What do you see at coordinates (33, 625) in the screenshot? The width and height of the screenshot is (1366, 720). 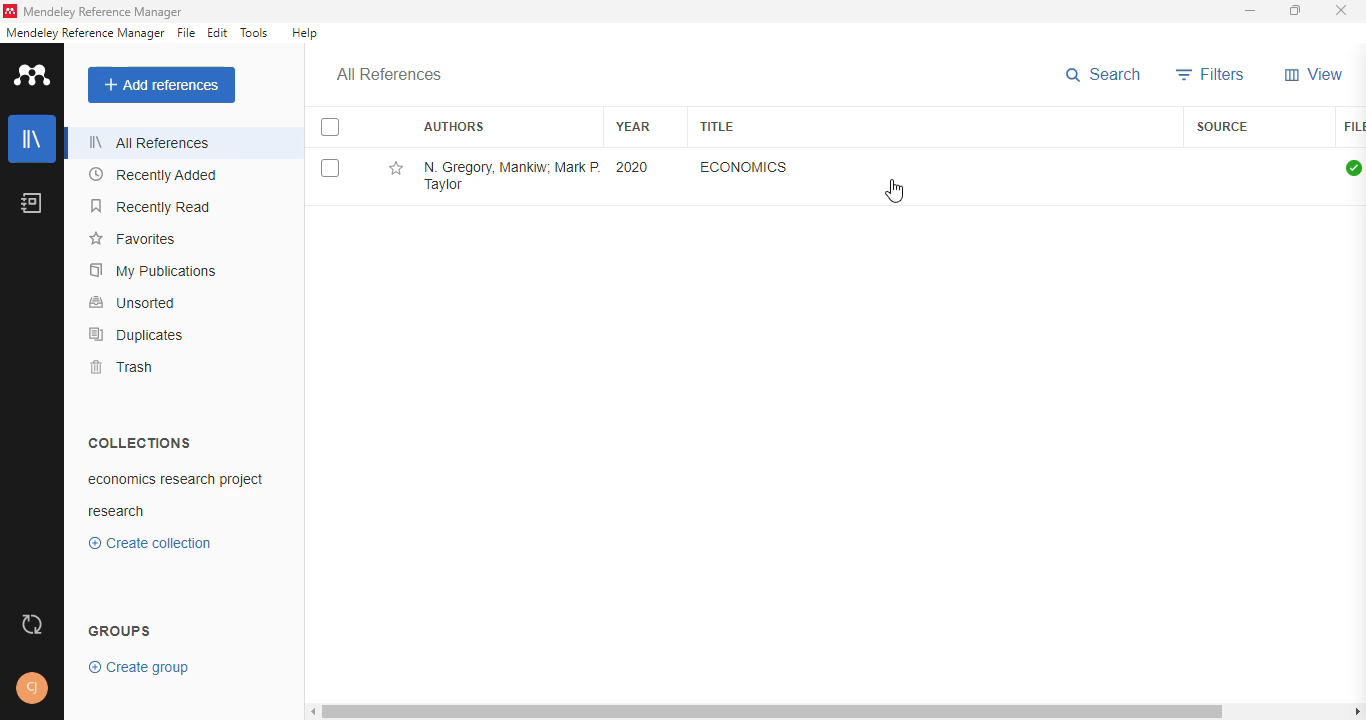 I see `sync` at bounding box center [33, 625].